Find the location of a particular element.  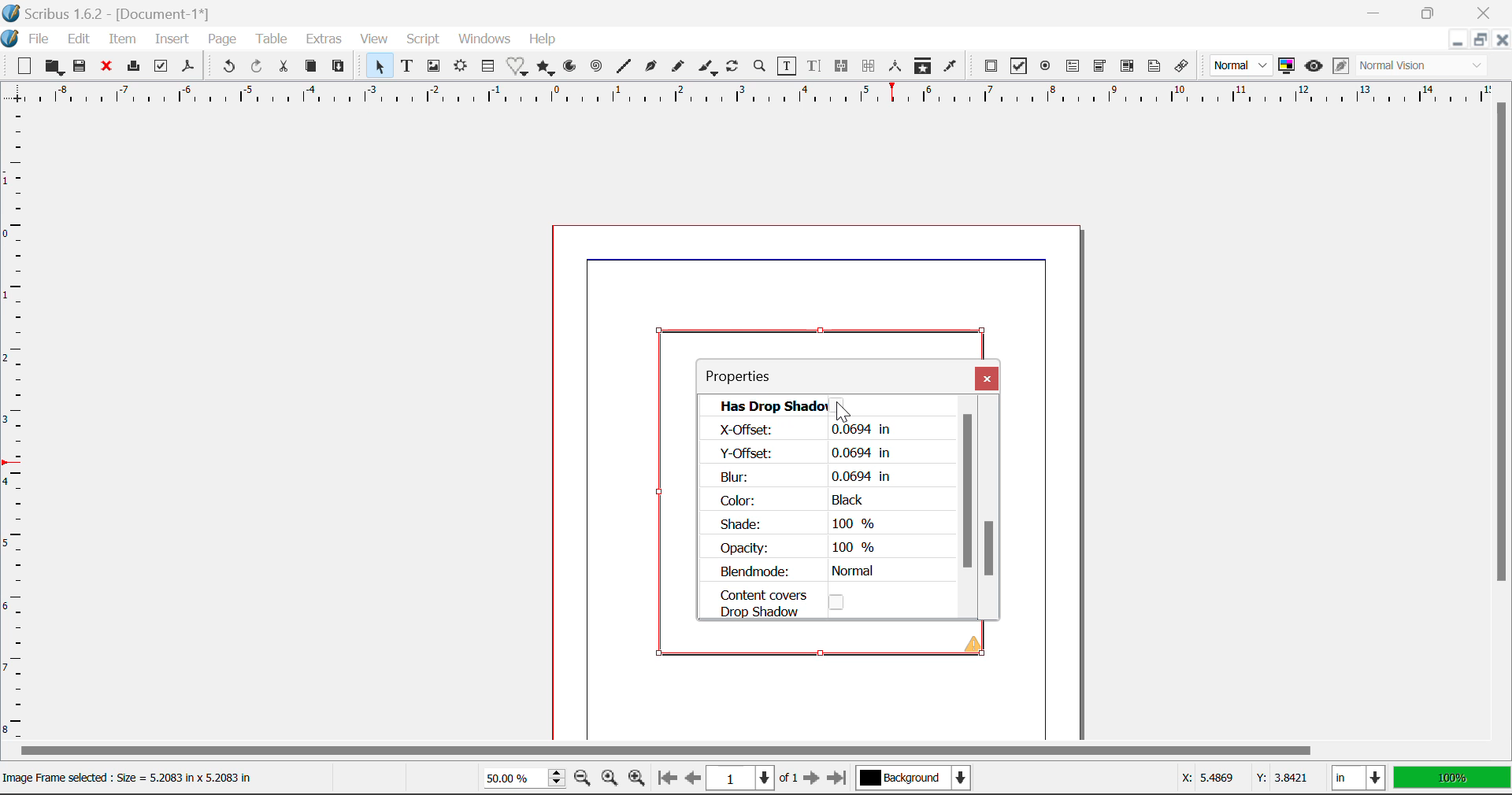

Redo is located at coordinates (258, 68).